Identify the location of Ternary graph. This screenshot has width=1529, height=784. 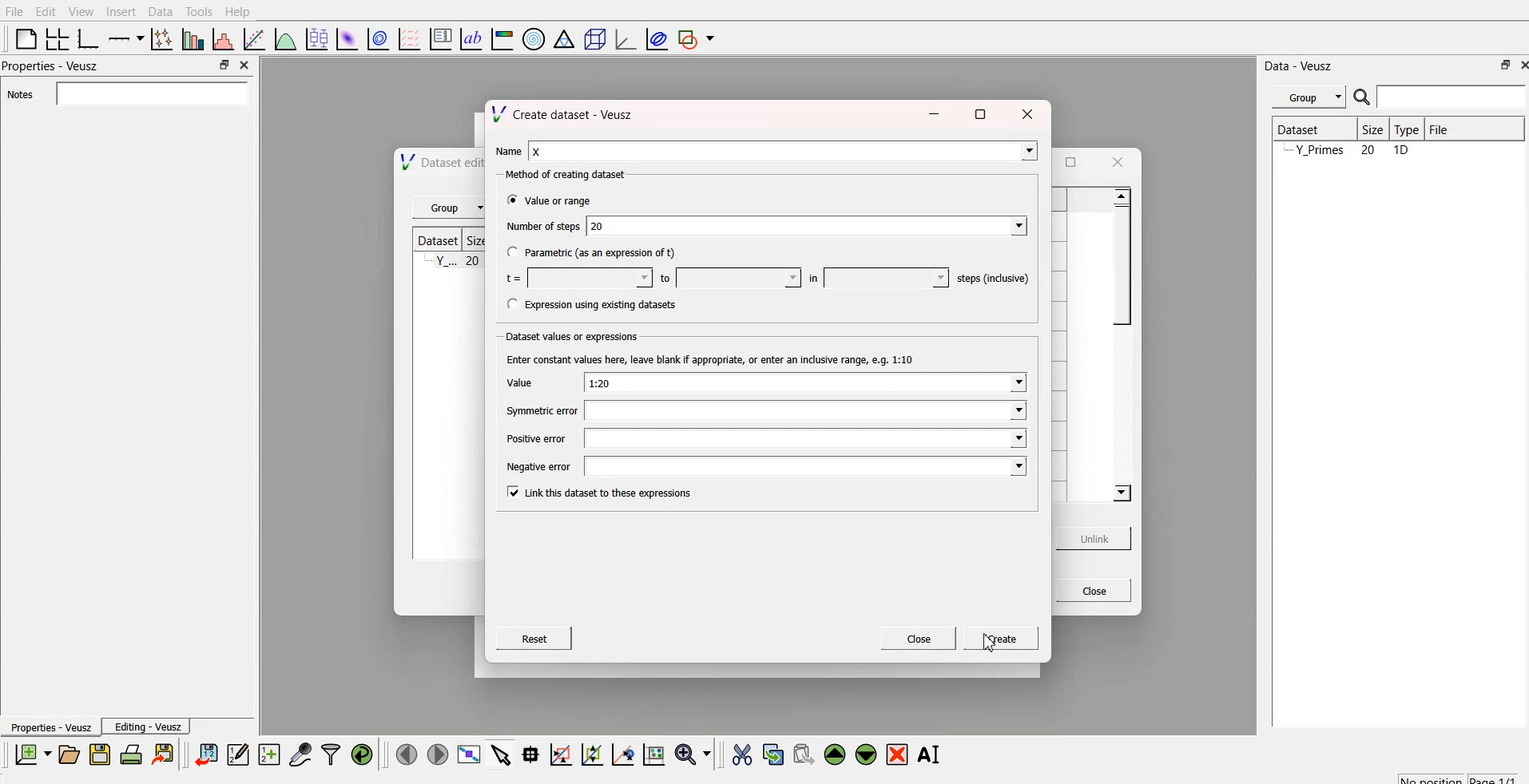
(565, 38).